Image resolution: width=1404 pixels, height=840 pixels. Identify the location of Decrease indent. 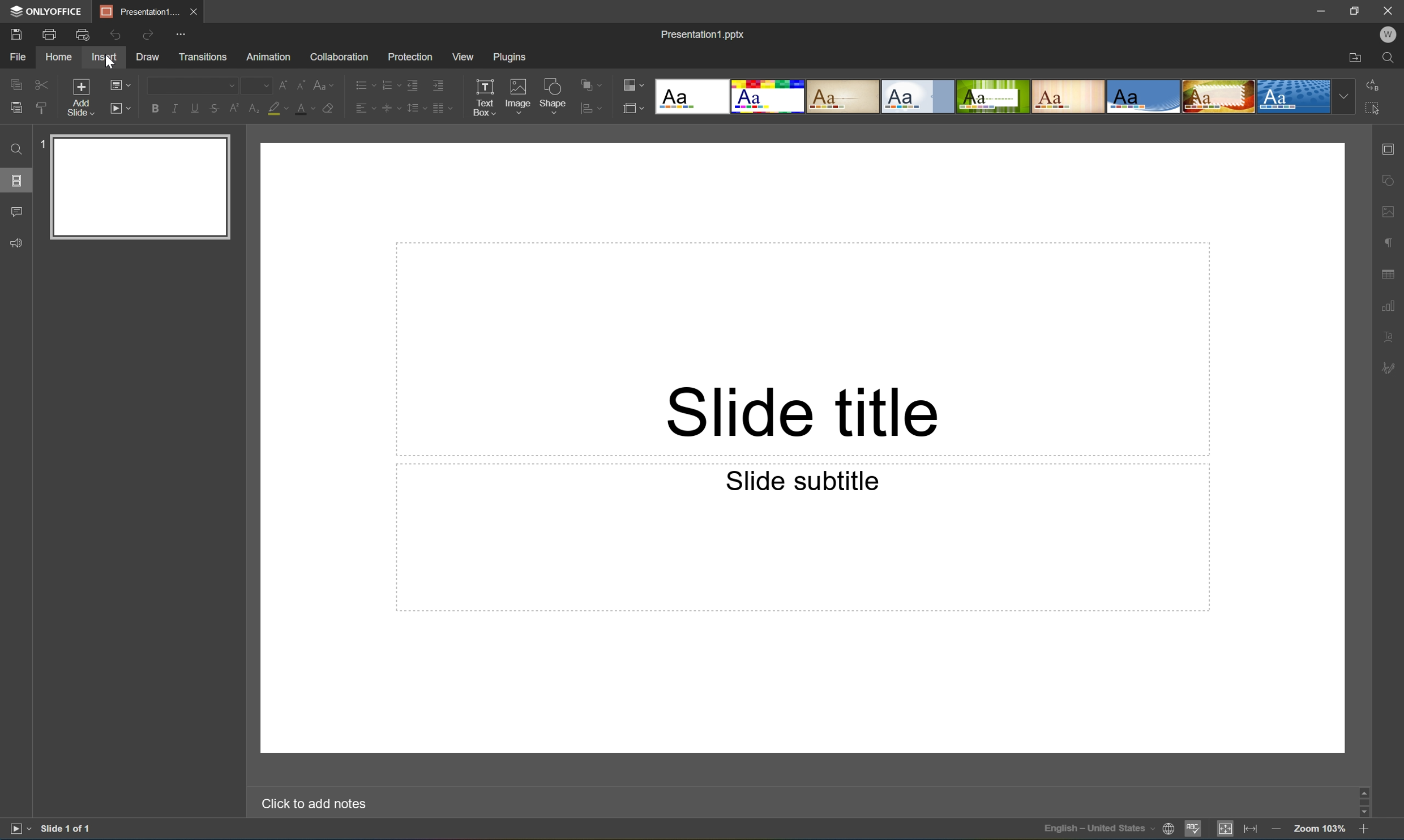
(414, 85).